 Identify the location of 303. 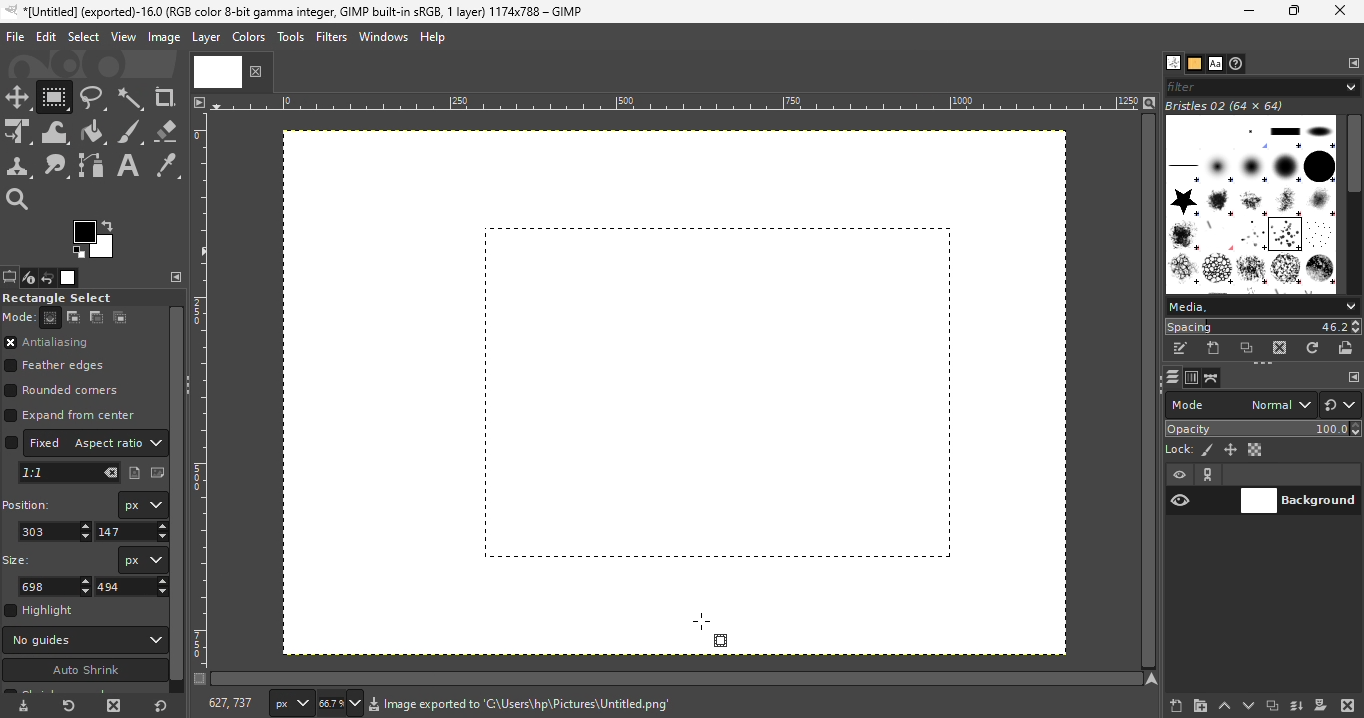
(54, 531).